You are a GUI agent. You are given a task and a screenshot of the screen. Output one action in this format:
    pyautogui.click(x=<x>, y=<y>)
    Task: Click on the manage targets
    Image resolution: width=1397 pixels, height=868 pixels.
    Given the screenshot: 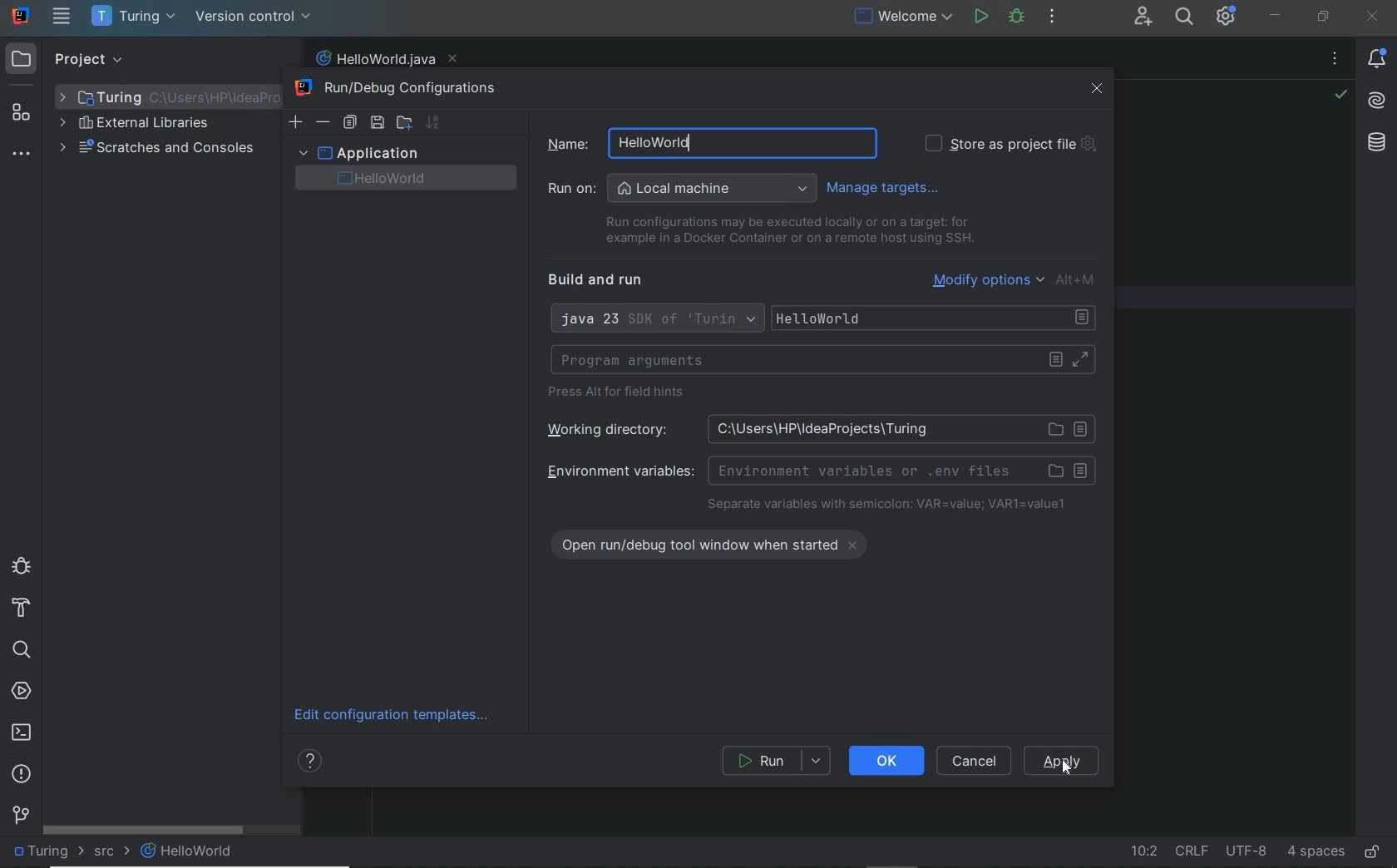 What is the action you would take?
    pyautogui.click(x=887, y=187)
    